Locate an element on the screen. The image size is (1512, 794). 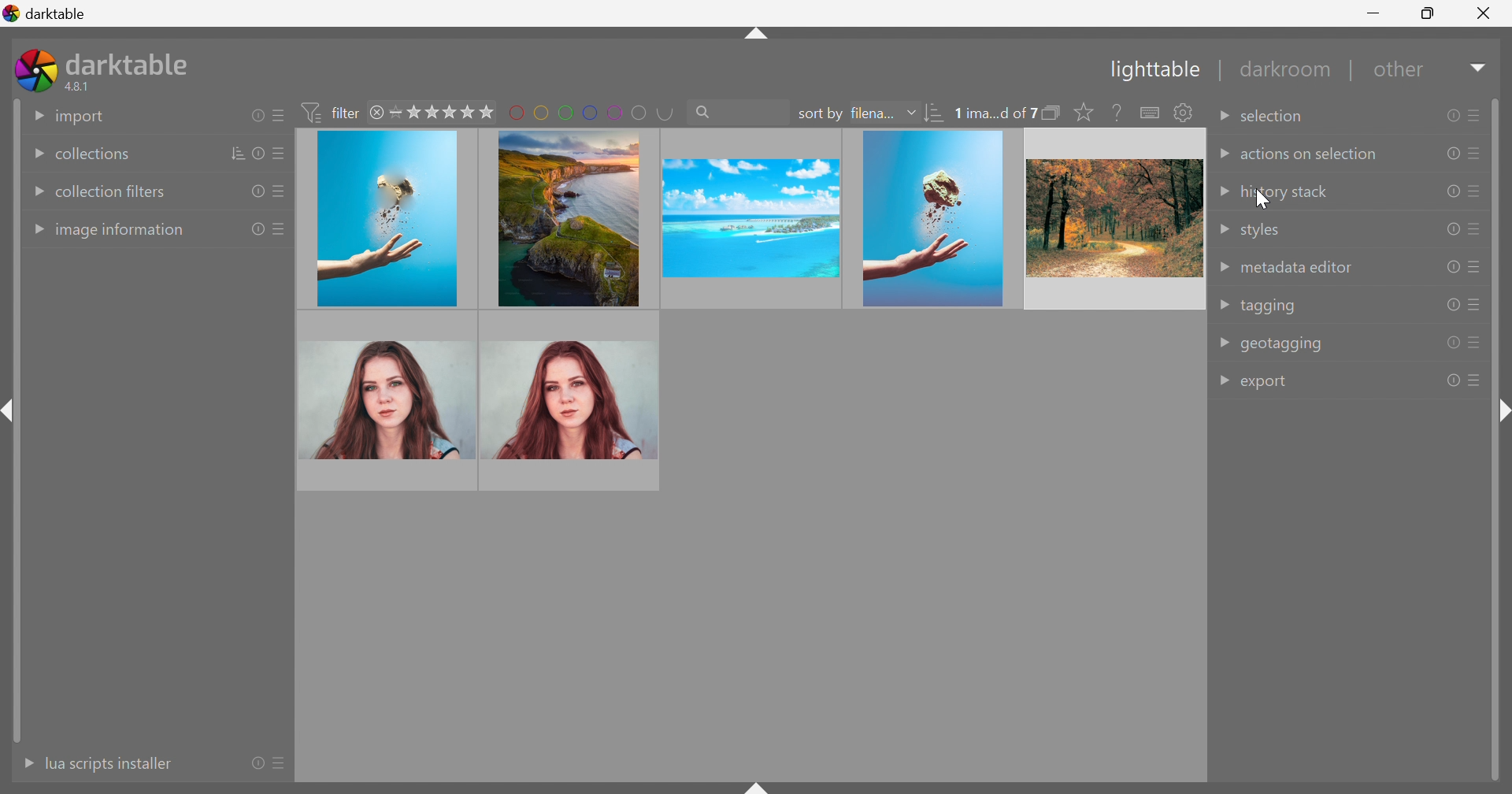
presets is located at coordinates (1478, 263).